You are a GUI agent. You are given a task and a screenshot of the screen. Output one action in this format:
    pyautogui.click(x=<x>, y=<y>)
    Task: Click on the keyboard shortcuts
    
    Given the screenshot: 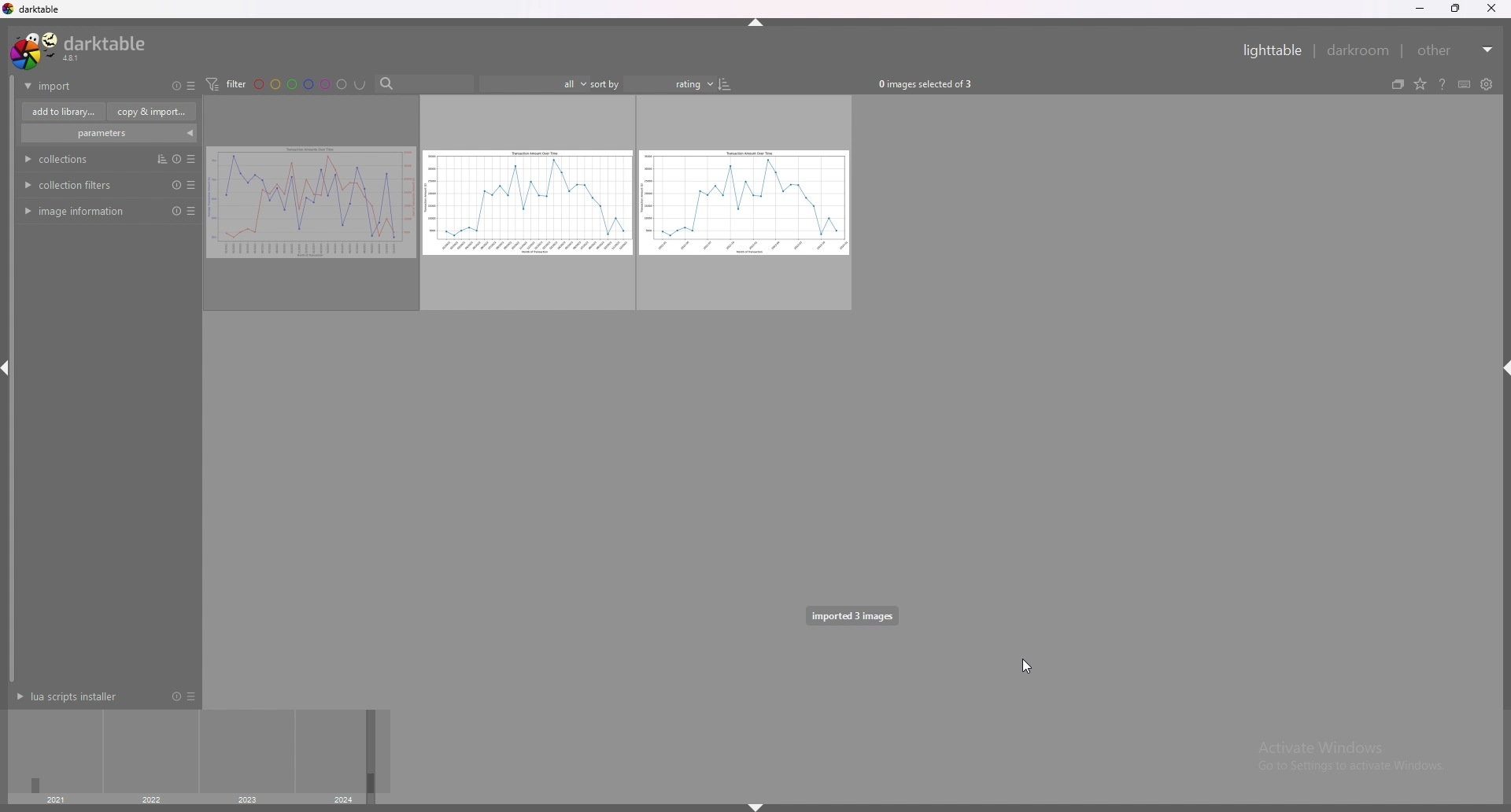 What is the action you would take?
    pyautogui.click(x=1465, y=85)
    